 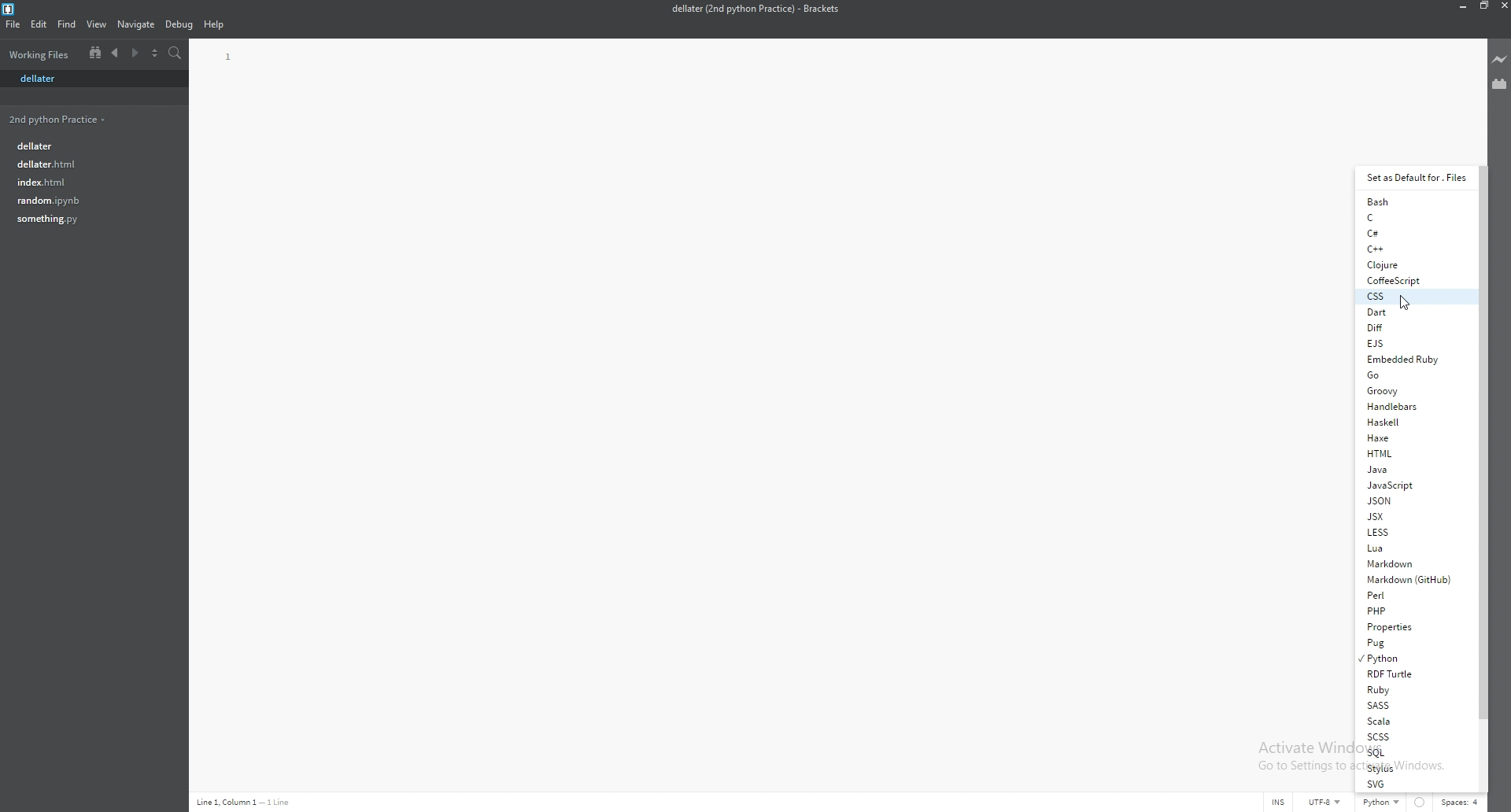 I want to click on file, so click(x=86, y=181).